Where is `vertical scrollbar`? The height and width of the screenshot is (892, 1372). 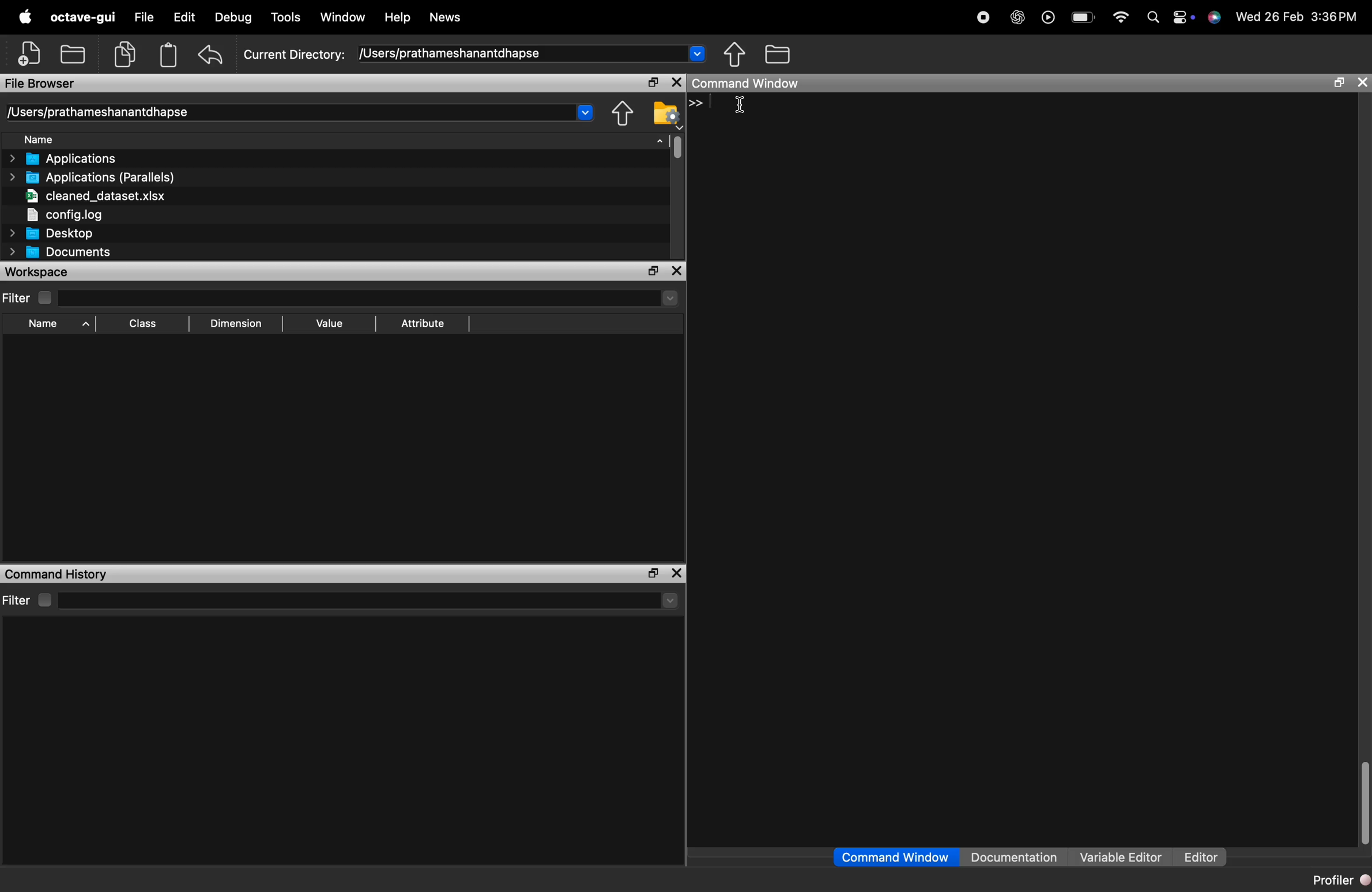 vertical scrollbar is located at coordinates (673, 149).